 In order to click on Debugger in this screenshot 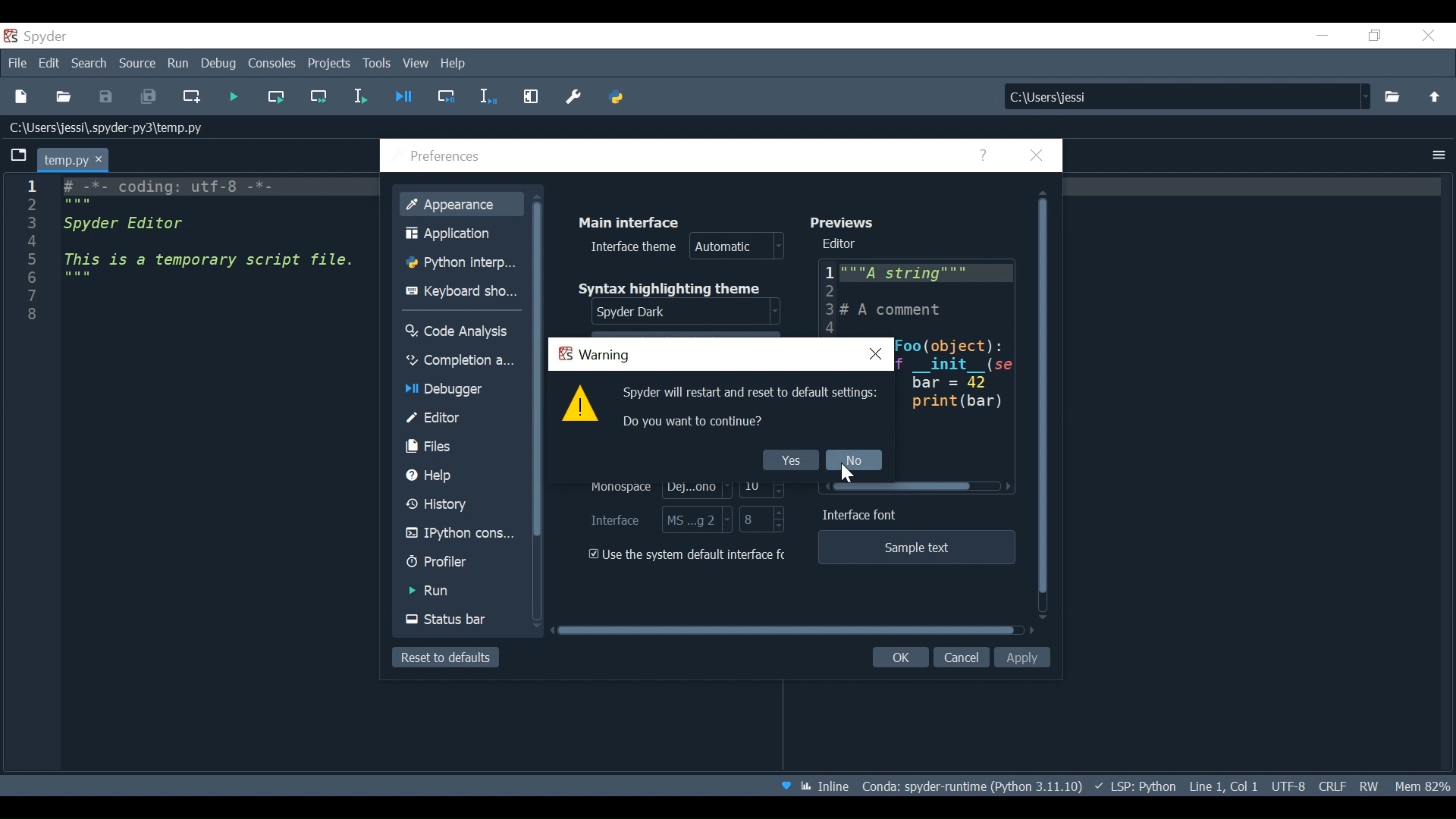, I will do `click(462, 391)`.